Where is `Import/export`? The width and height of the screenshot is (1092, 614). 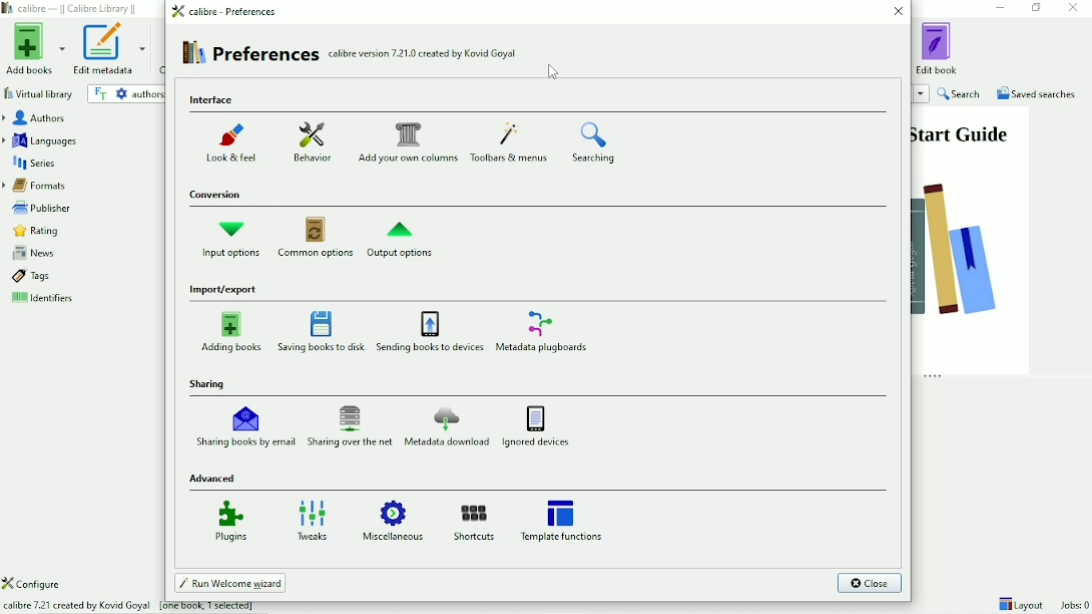
Import/export is located at coordinates (226, 289).